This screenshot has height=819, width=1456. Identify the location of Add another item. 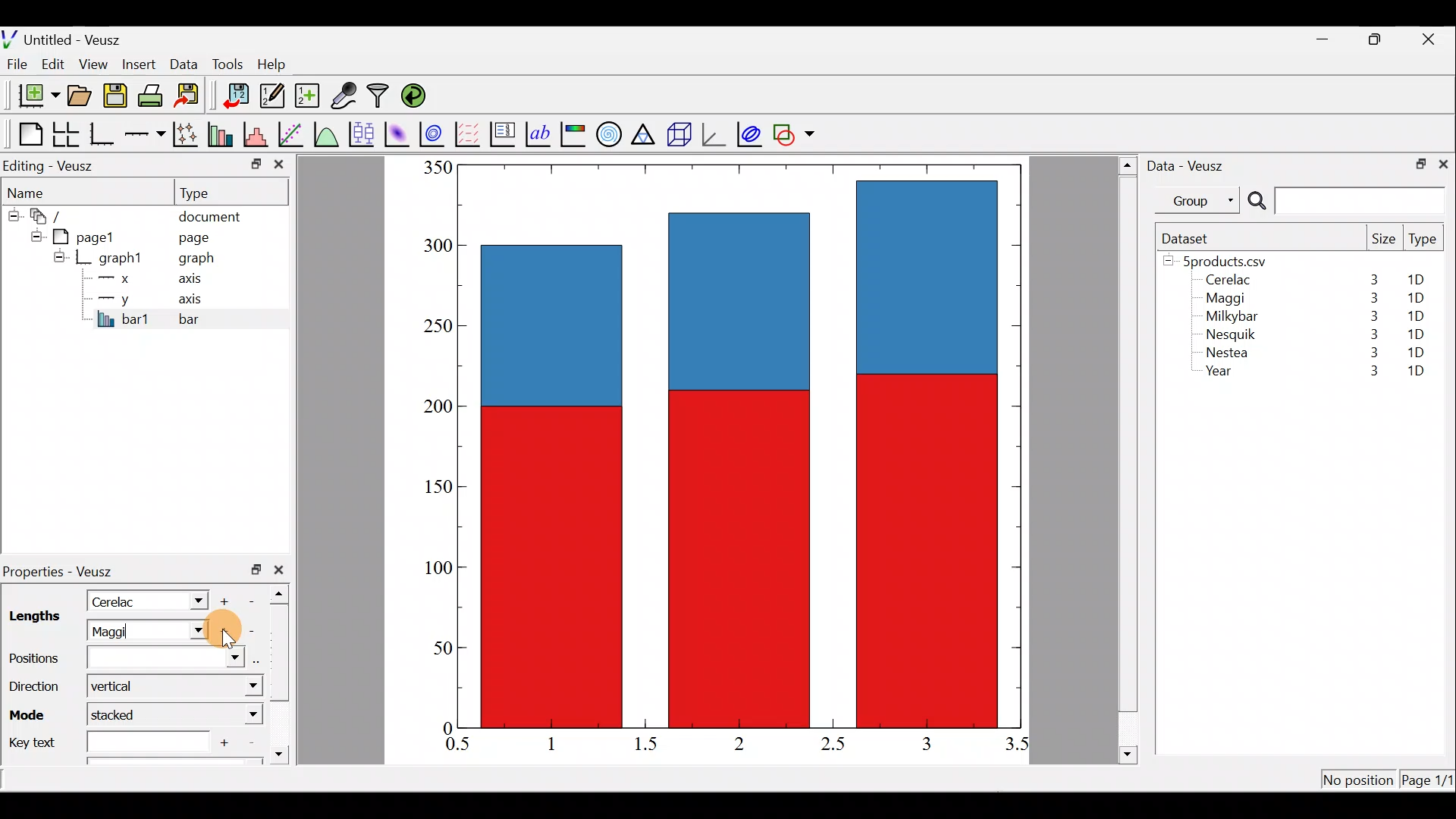
(227, 599).